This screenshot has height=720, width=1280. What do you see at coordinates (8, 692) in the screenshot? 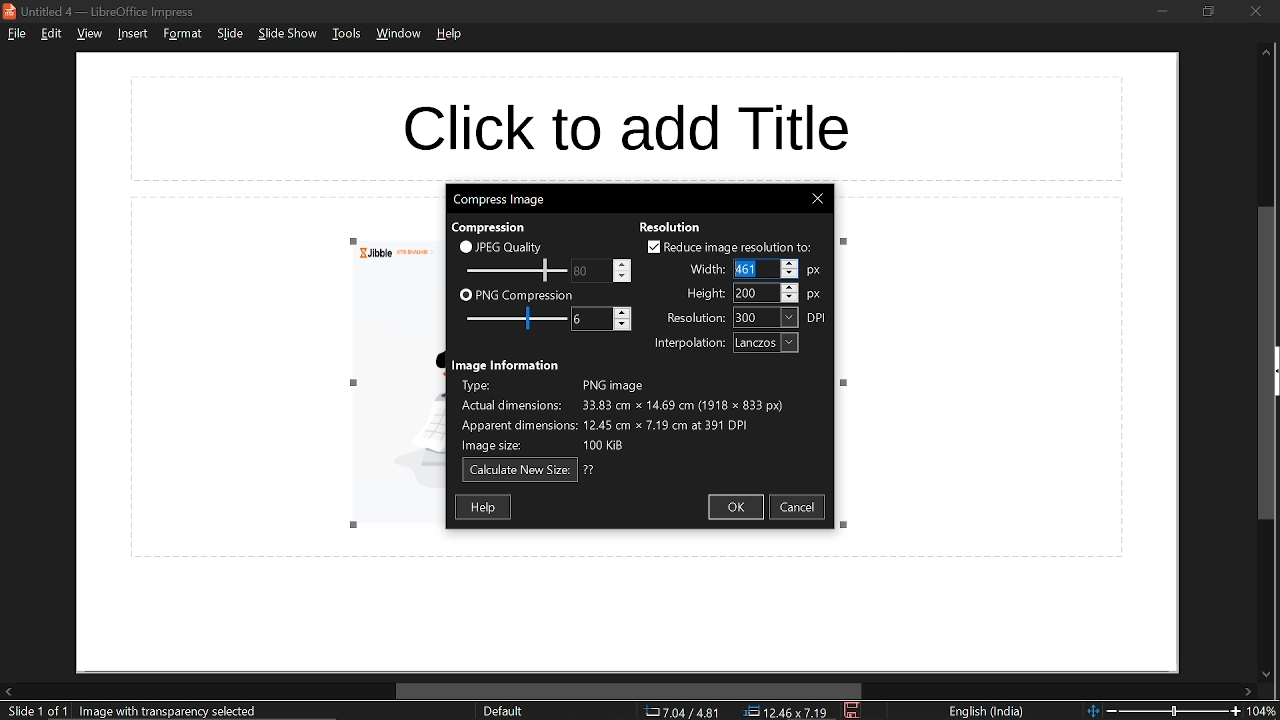
I see `move left` at bounding box center [8, 692].